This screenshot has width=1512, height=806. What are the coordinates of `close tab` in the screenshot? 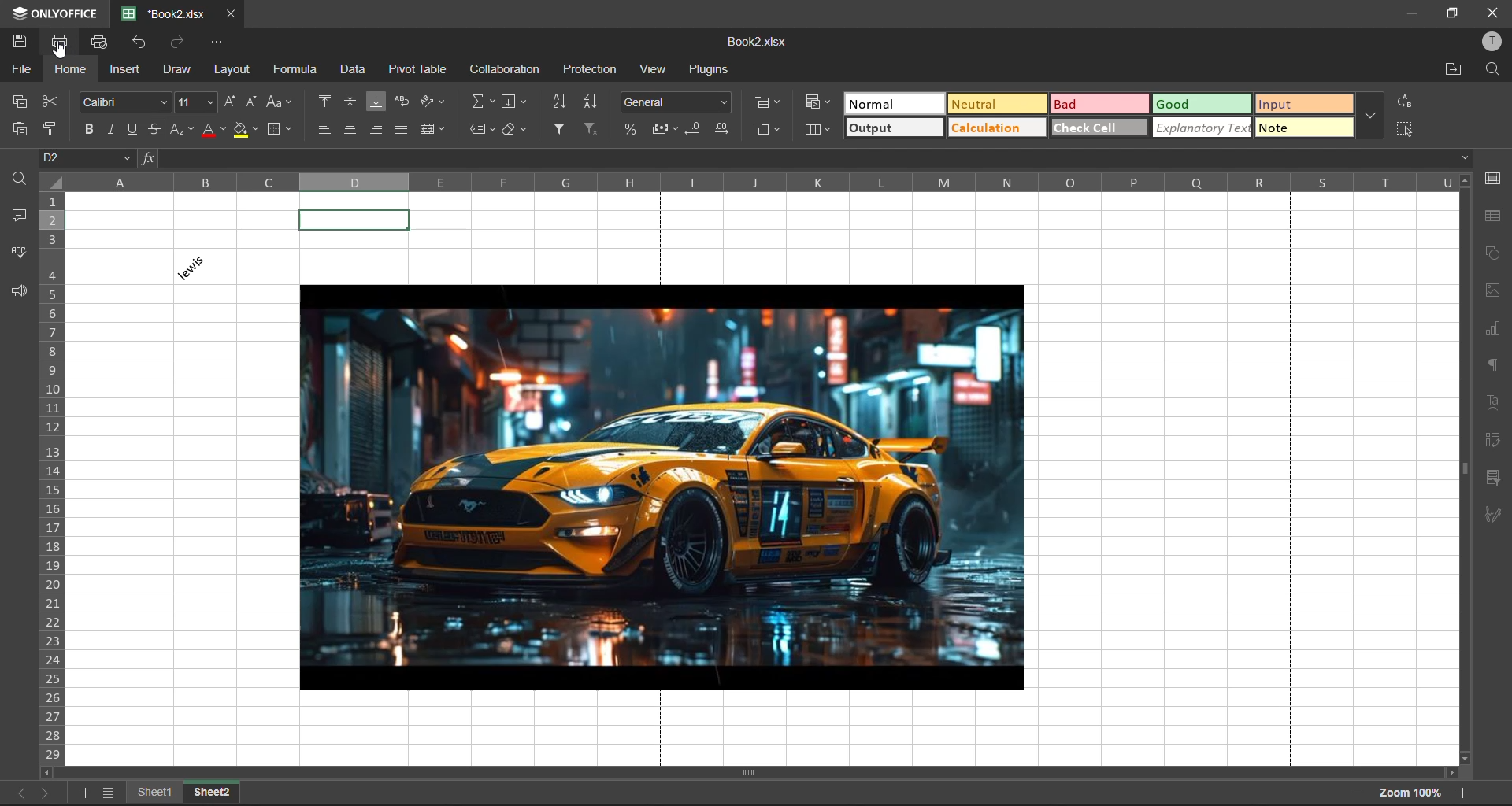 It's located at (228, 13).